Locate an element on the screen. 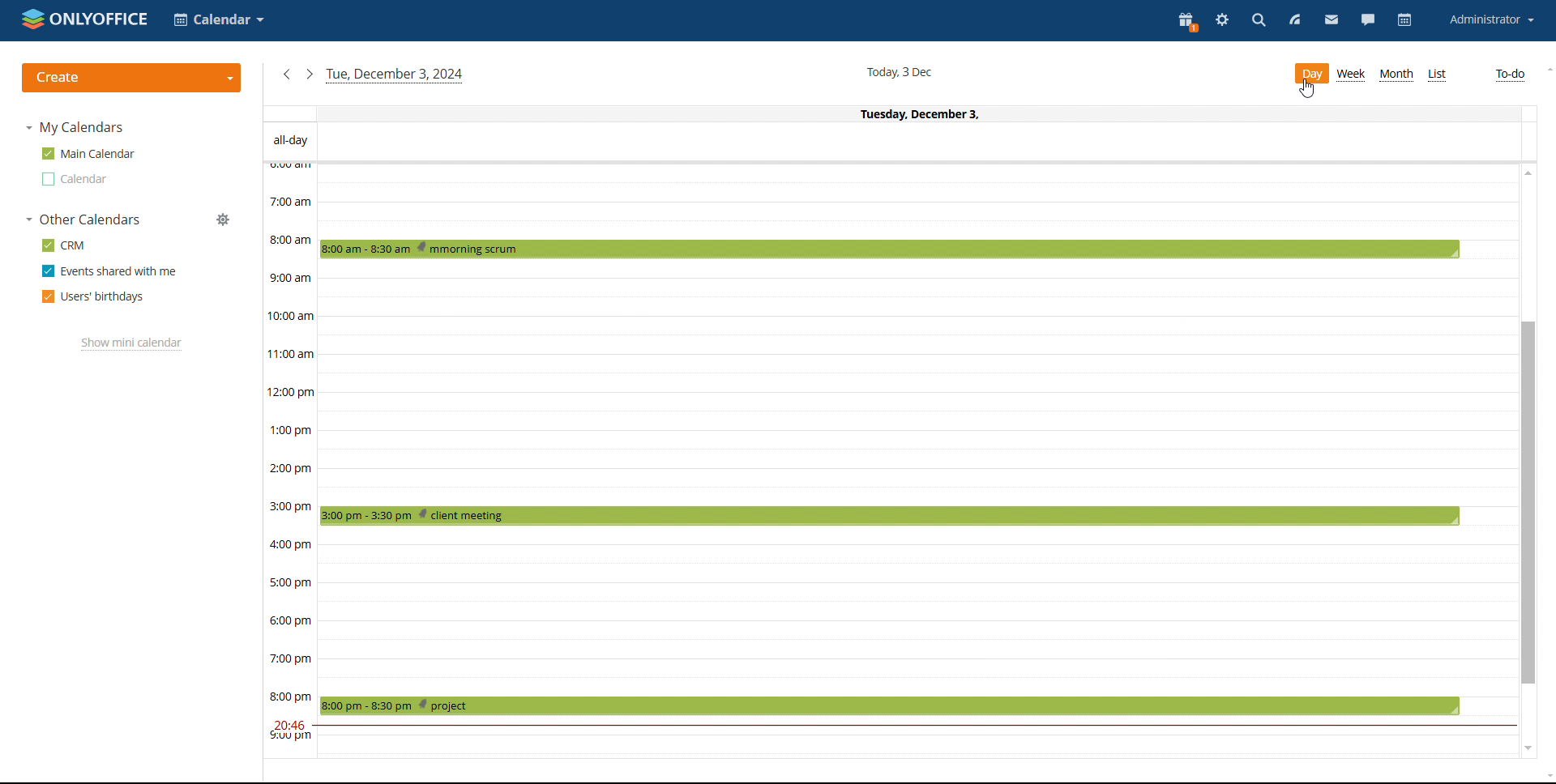 The width and height of the screenshot is (1556, 784). main calendar is located at coordinates (87, 154).